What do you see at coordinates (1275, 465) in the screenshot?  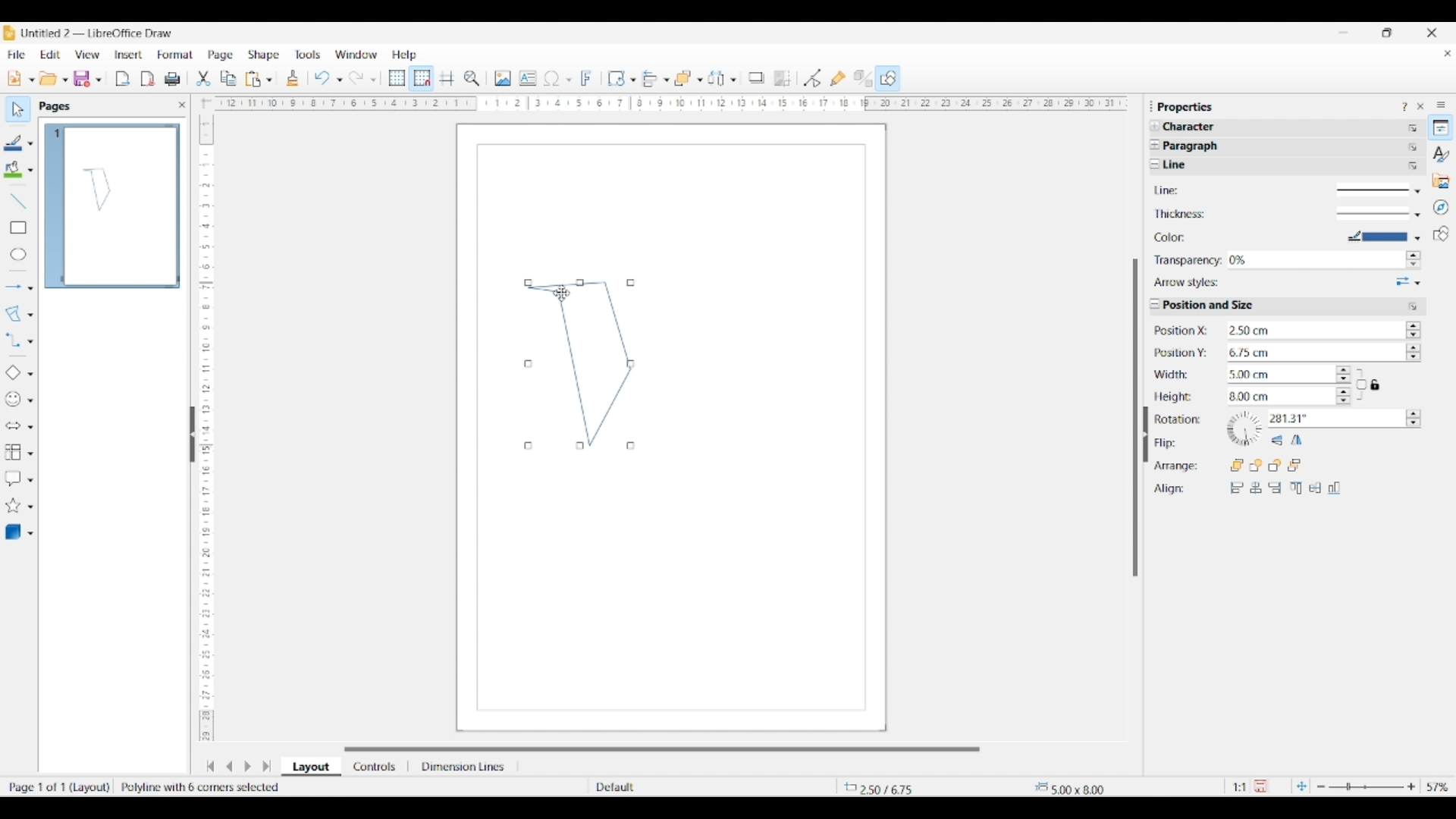 I see `Back one` at bounding box center [1275, 465].